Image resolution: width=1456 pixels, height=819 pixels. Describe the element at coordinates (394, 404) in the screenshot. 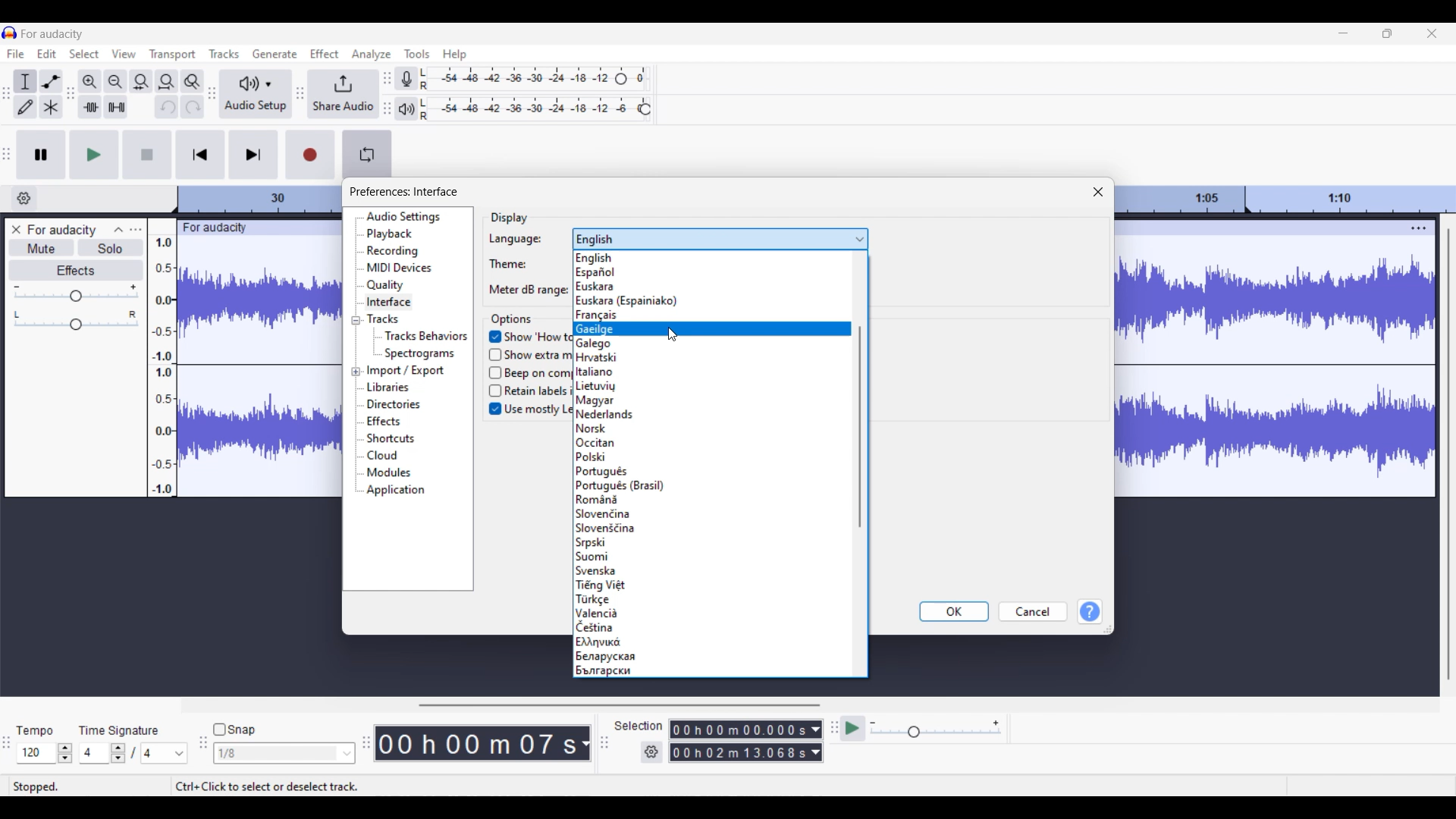

I see `Directories` at that location.